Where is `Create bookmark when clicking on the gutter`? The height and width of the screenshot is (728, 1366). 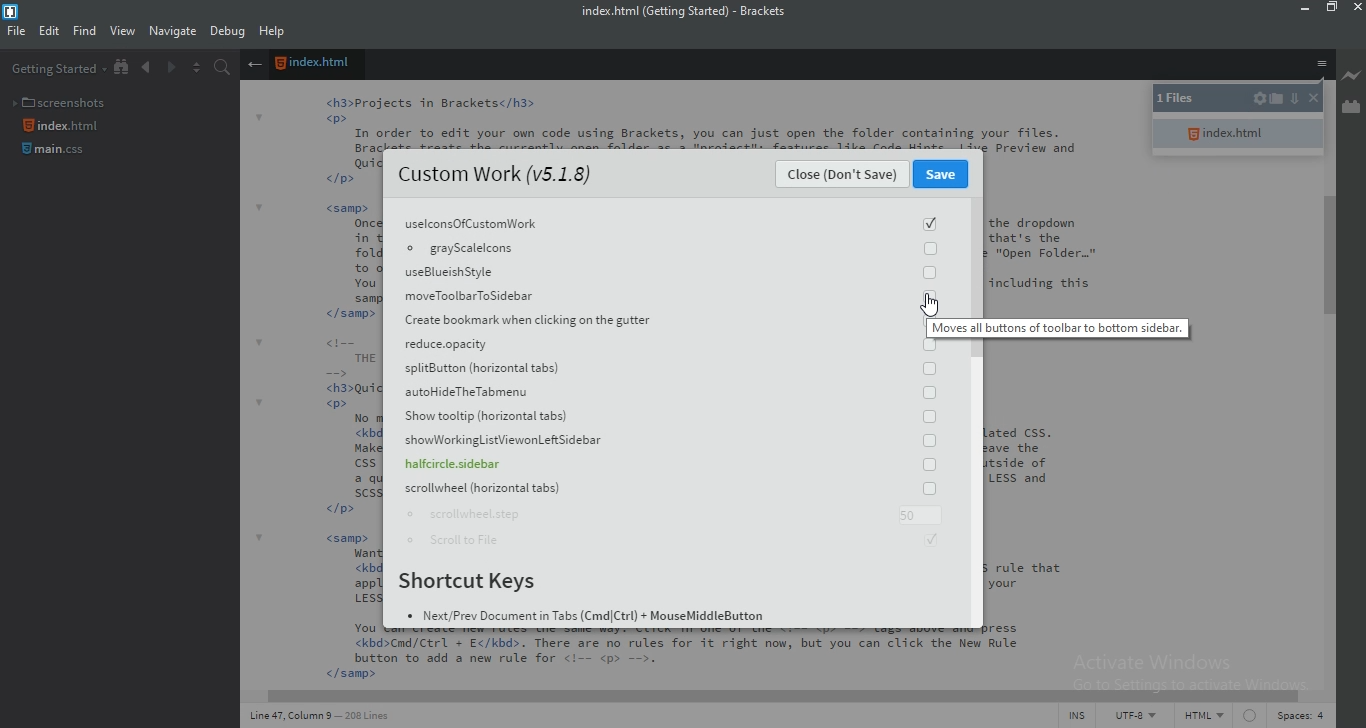 Create bookmark when clicking on the gutter is located at coordinates (670, 321).